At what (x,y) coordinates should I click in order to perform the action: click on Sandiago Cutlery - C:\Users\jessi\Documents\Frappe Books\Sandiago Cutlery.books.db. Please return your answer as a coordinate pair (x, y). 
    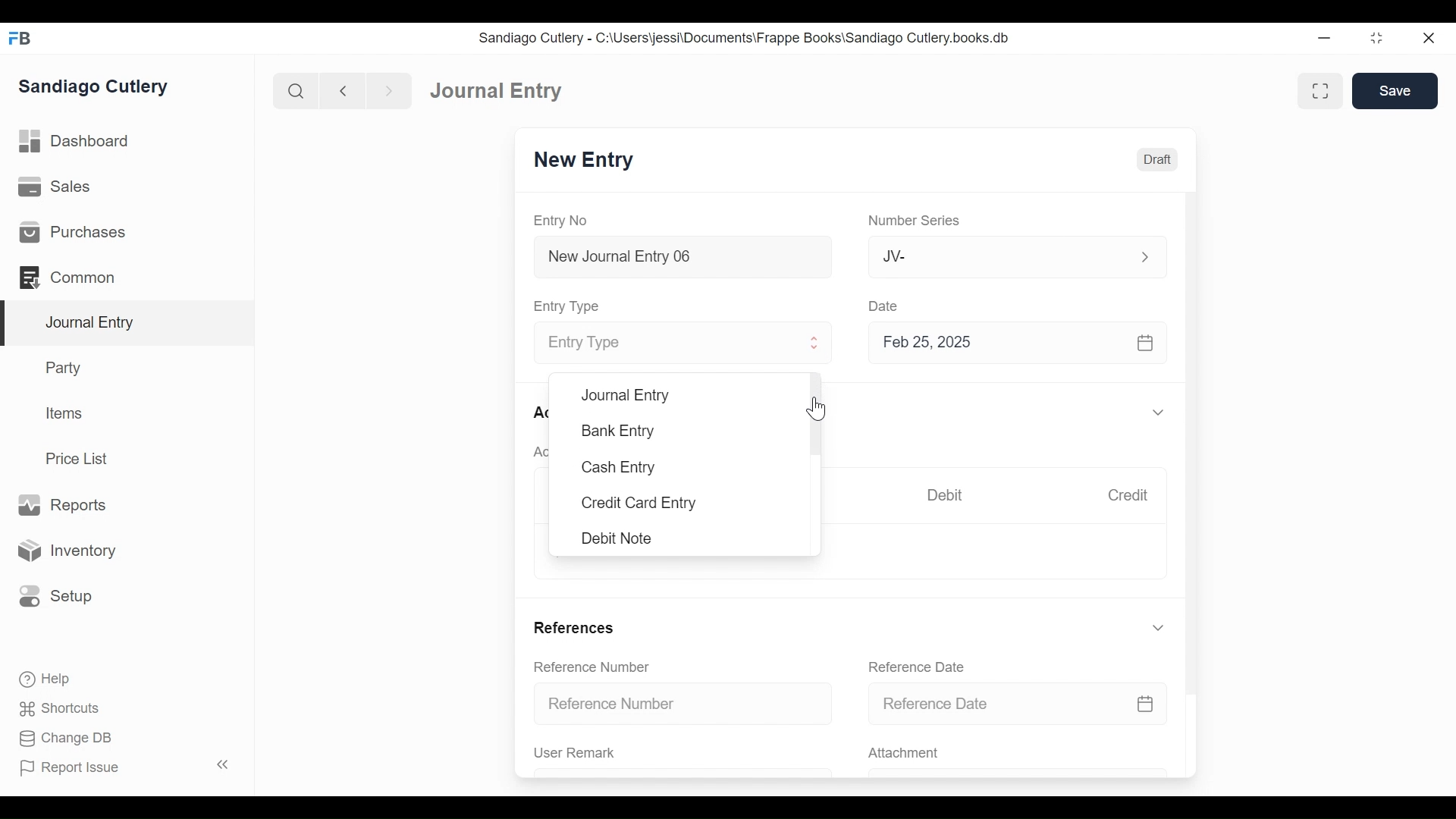
    Looking at the image, I should click on (745, 38).